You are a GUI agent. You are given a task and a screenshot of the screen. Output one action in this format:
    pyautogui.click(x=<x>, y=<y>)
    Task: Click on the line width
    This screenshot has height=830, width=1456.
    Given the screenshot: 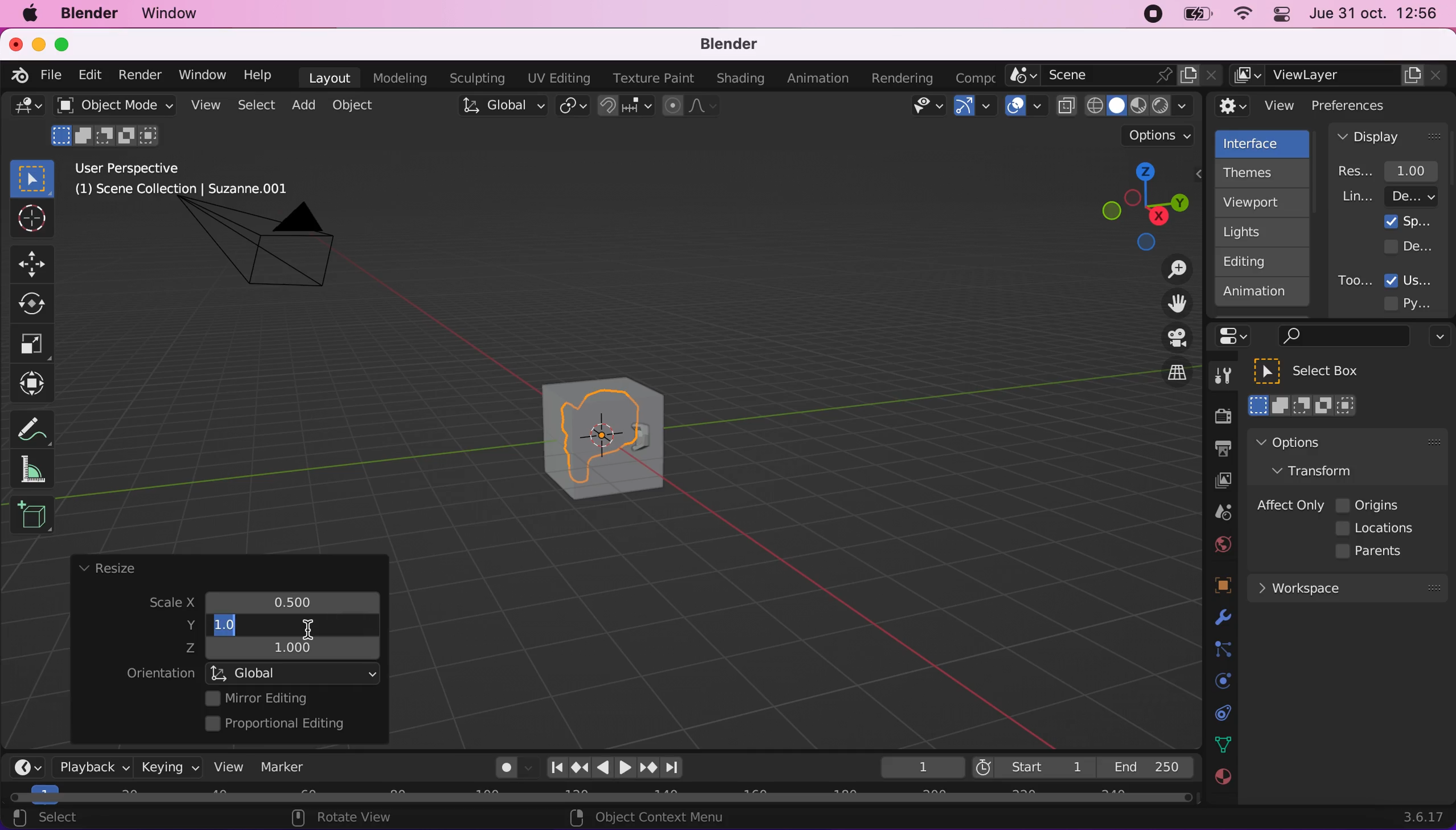 What is the action you would take?
    pyautogui.click(x=1389, y=196)
    